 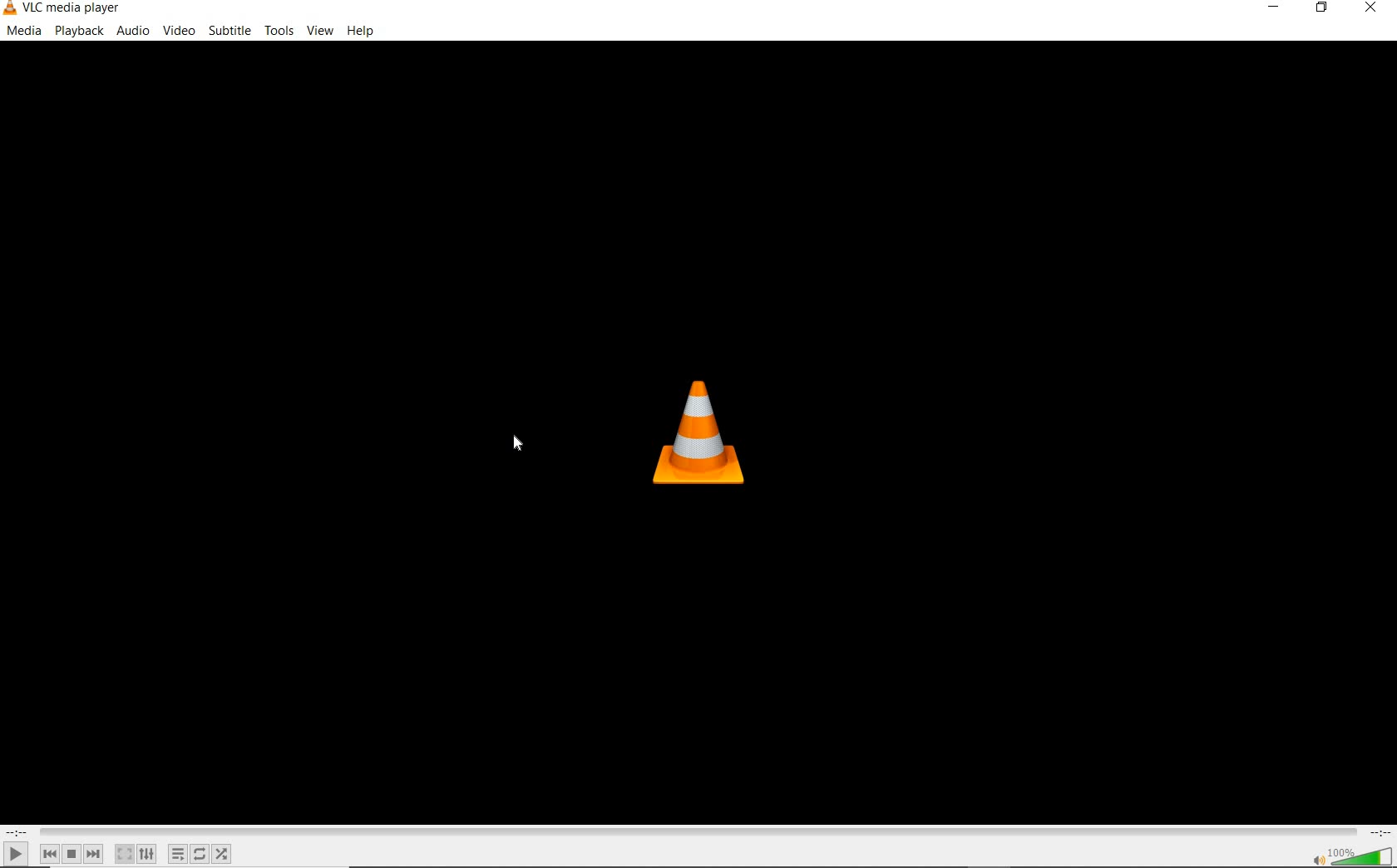 What do you see at coordinates (49, 854) in the screenshot?
I see `previous media` at bounding box center [49, 854].